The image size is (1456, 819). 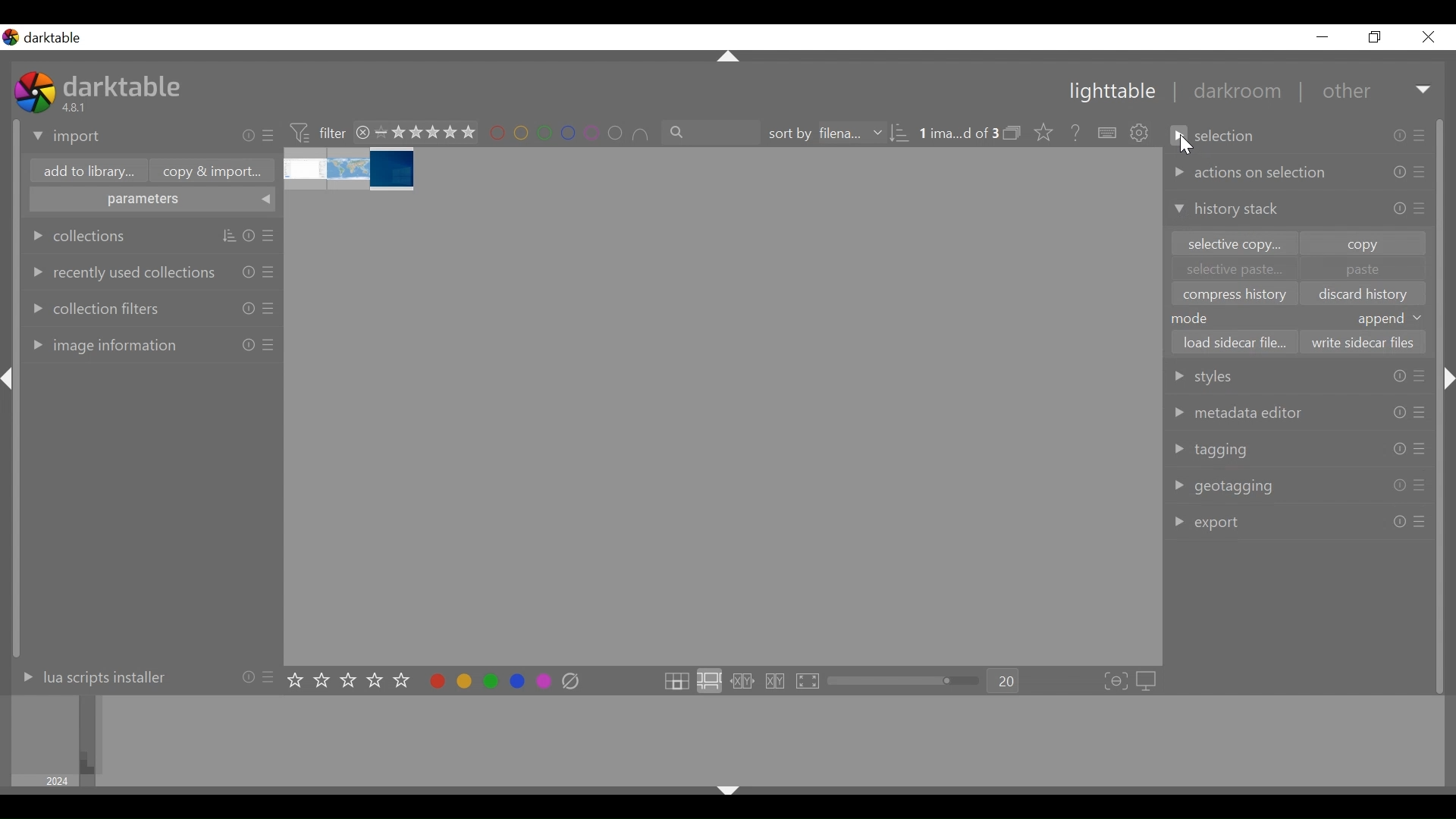 What do you see at coordinates (1189, 146) in the screenshot?
I see `cursor` at bounding box center [1189, 146].